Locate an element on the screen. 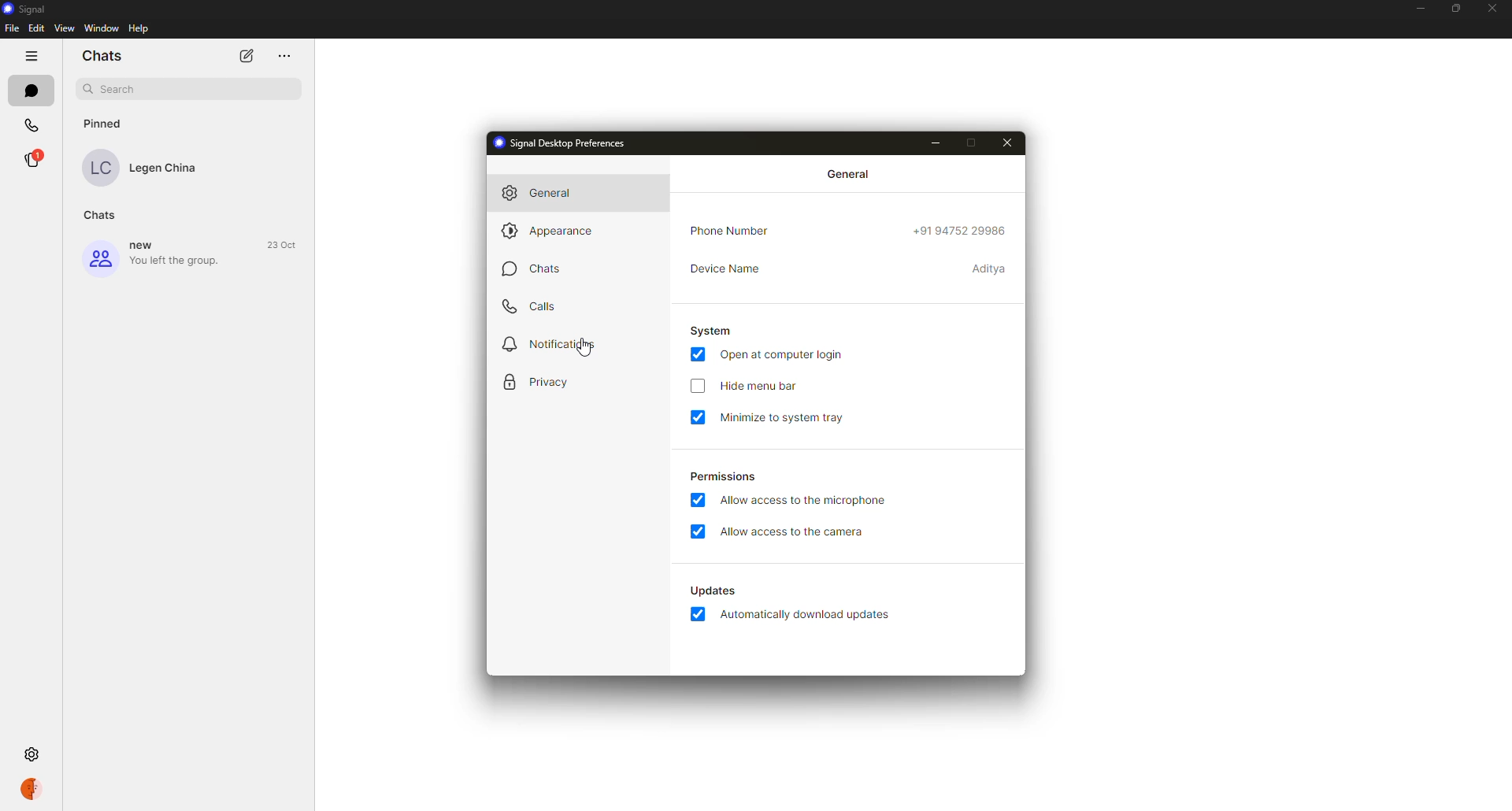 The width and height of the screenshot is (1512, 811). phone number is located at coordinates (962, 231).